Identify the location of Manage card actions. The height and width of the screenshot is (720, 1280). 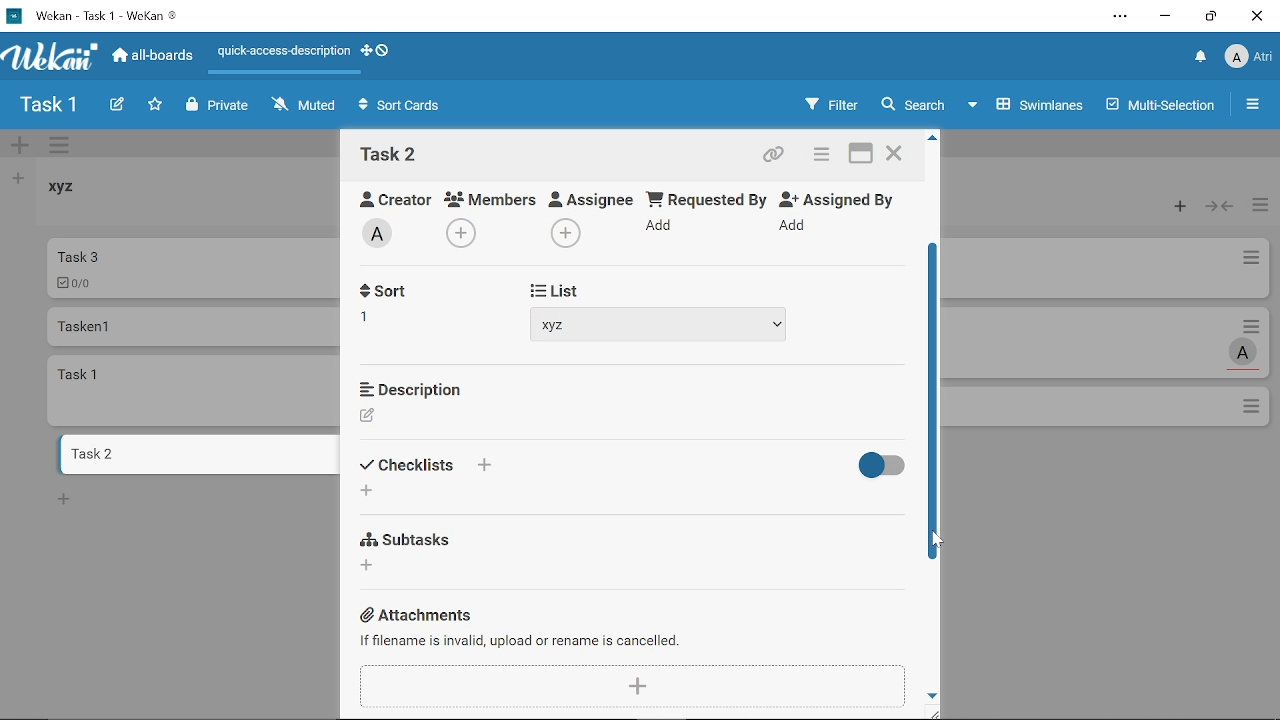
(1260, 207).